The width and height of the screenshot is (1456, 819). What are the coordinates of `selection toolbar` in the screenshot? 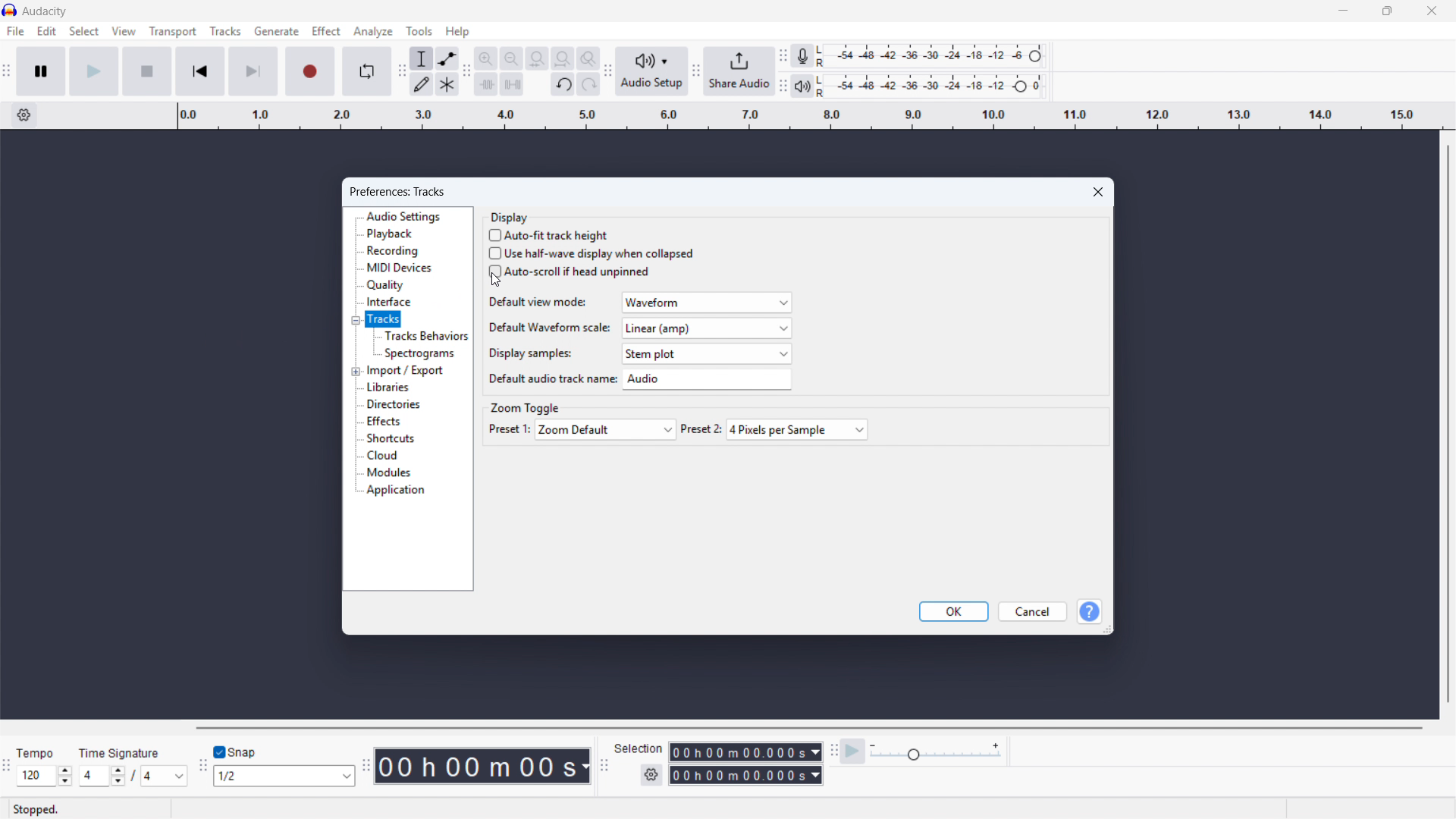 It's located at (603, 767).